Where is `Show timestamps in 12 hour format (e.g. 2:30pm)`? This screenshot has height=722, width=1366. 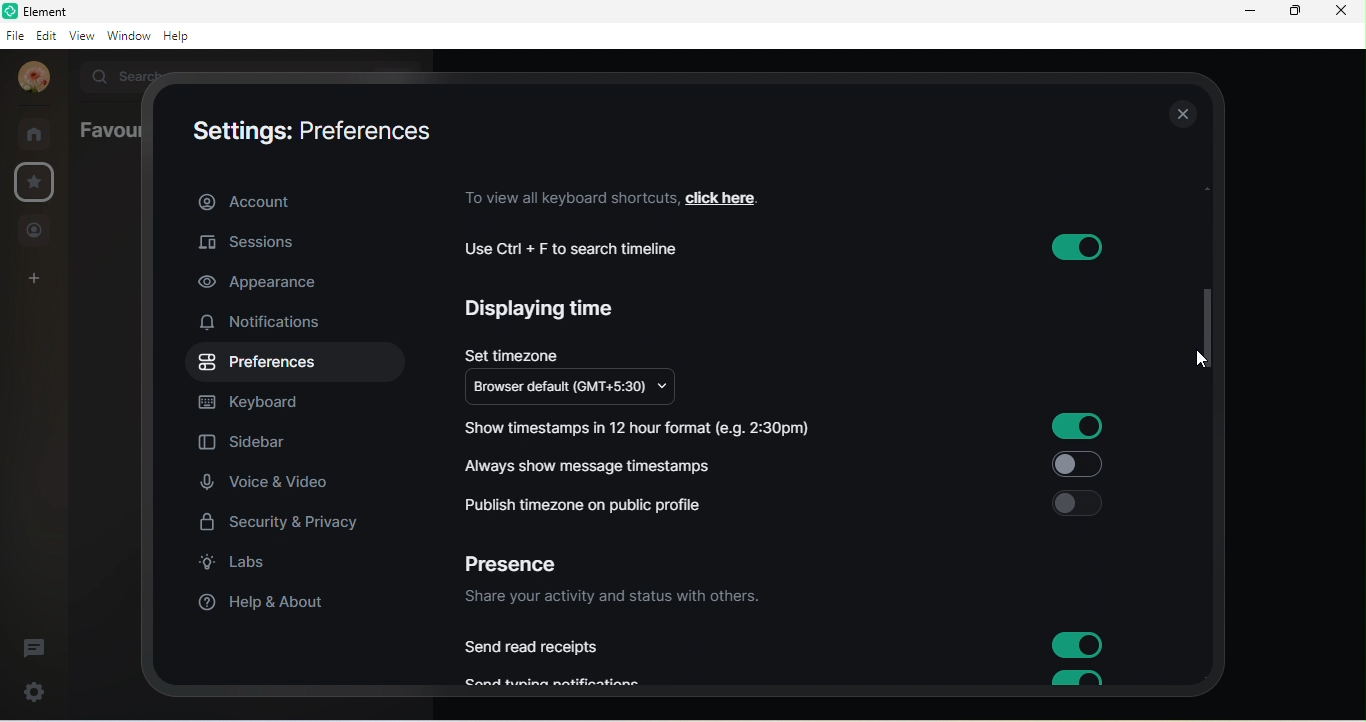 Show timestamps in 12 hour format (e.g. 2:30pm) is located at coordinates (646, 426).